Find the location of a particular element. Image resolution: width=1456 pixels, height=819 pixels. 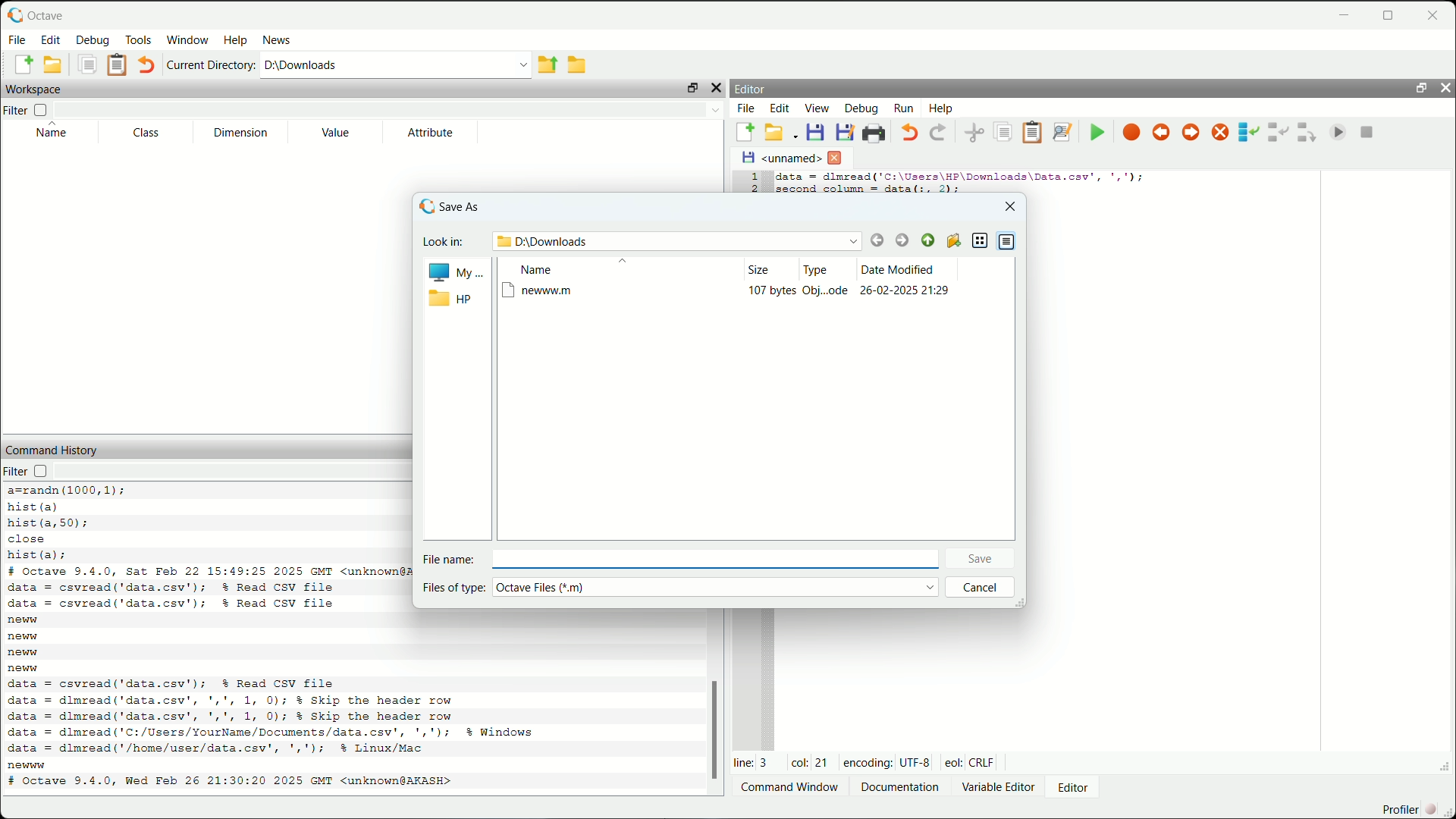

octave version and date is located at coordinates (268, 783).